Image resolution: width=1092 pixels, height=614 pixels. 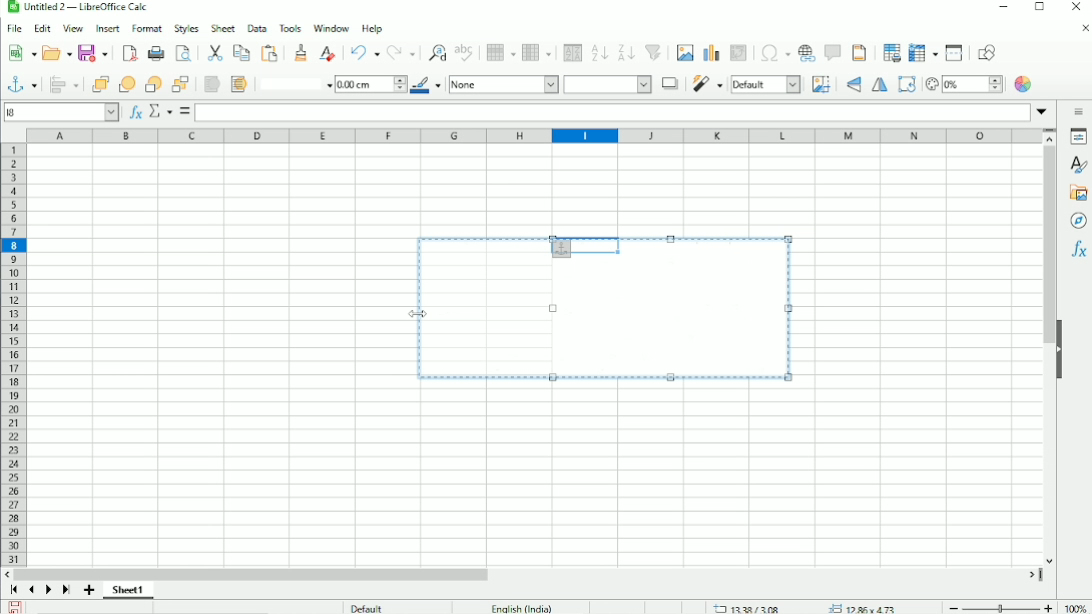 What do you see at coordinates (55, 52) in the screenshot?
I see `Open` at bounding box center [55, 52].